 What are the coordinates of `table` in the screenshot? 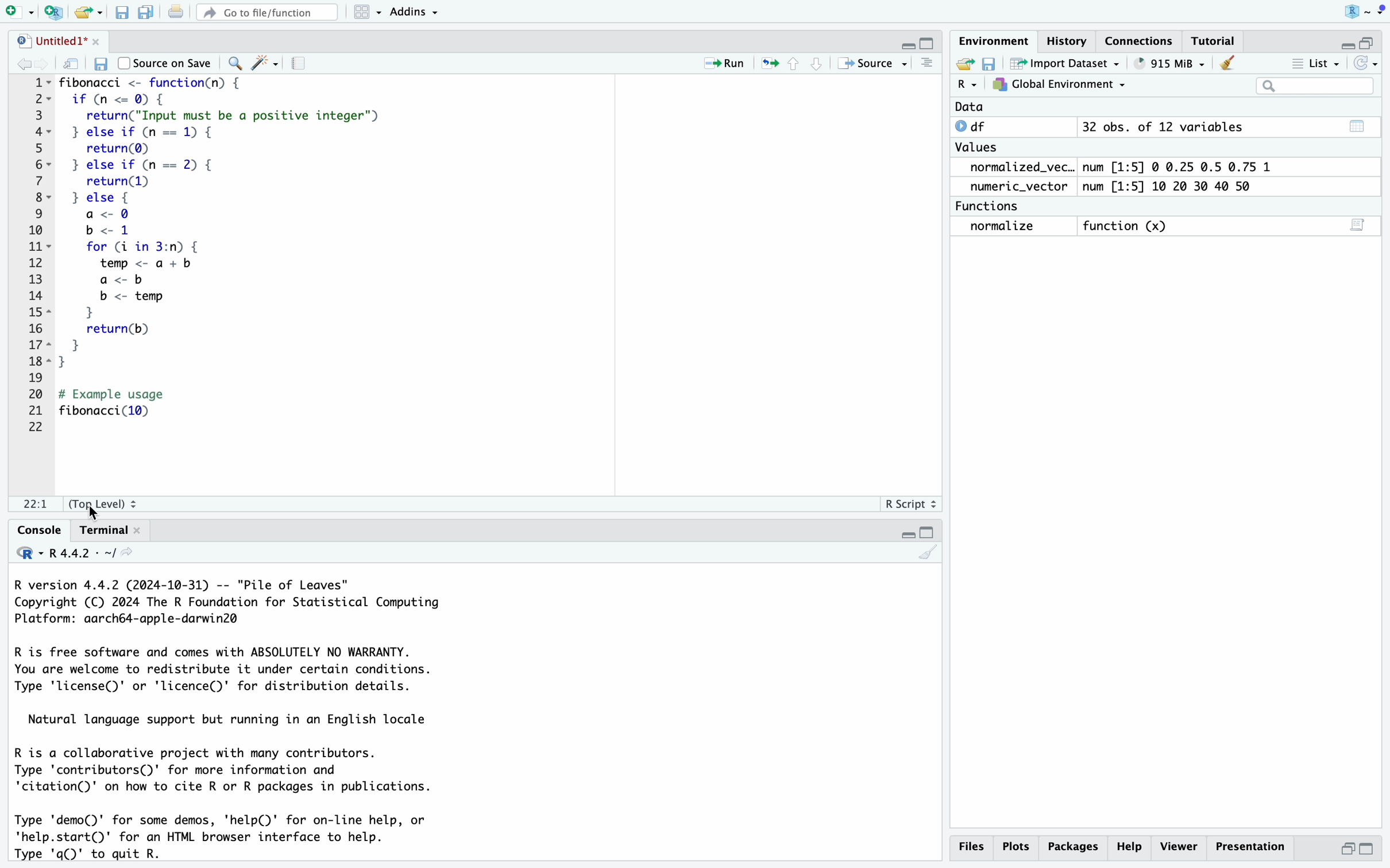 It's located at (1360, 125).